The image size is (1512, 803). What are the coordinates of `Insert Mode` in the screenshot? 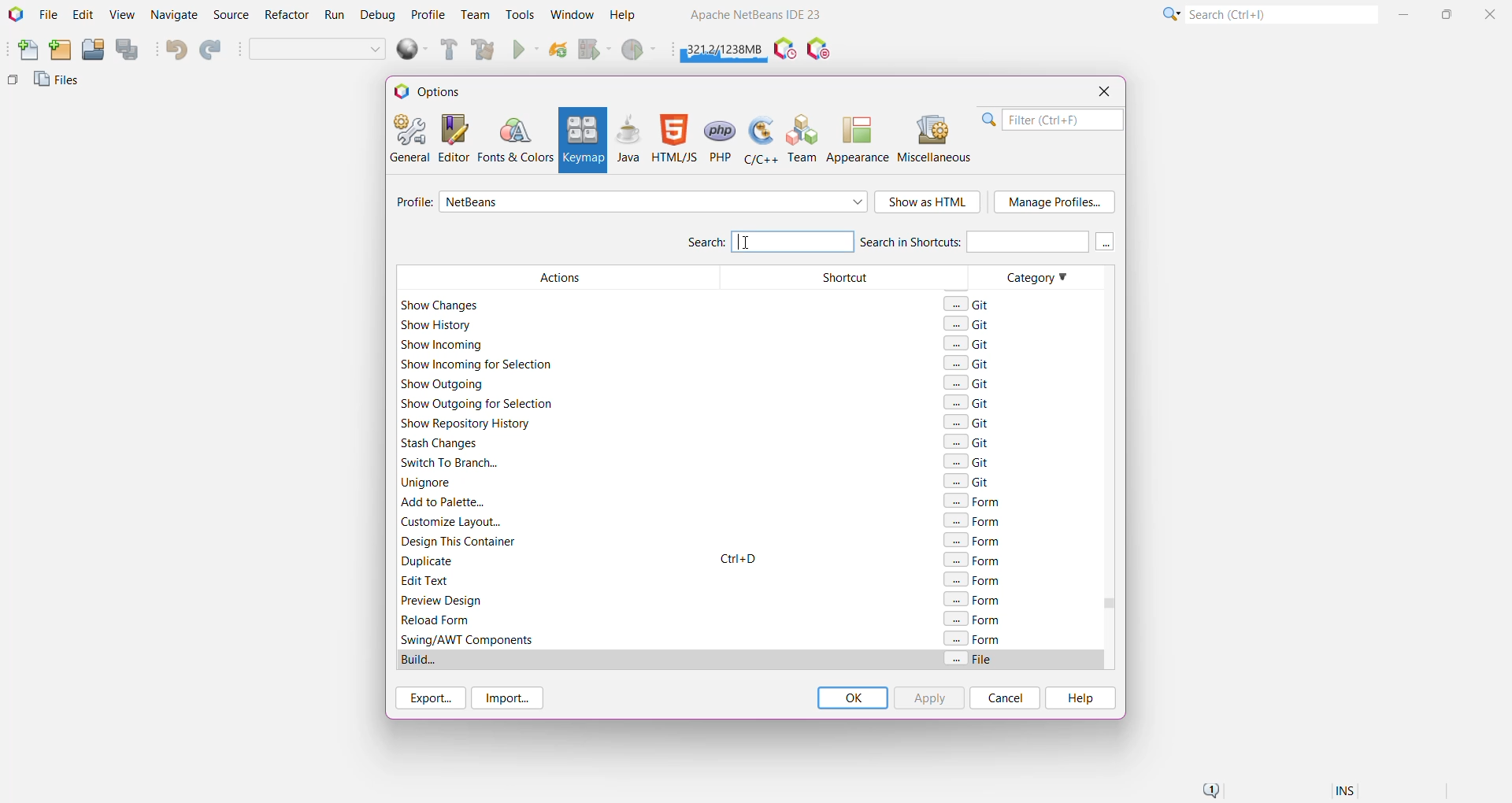 It's located at (1347, 793).